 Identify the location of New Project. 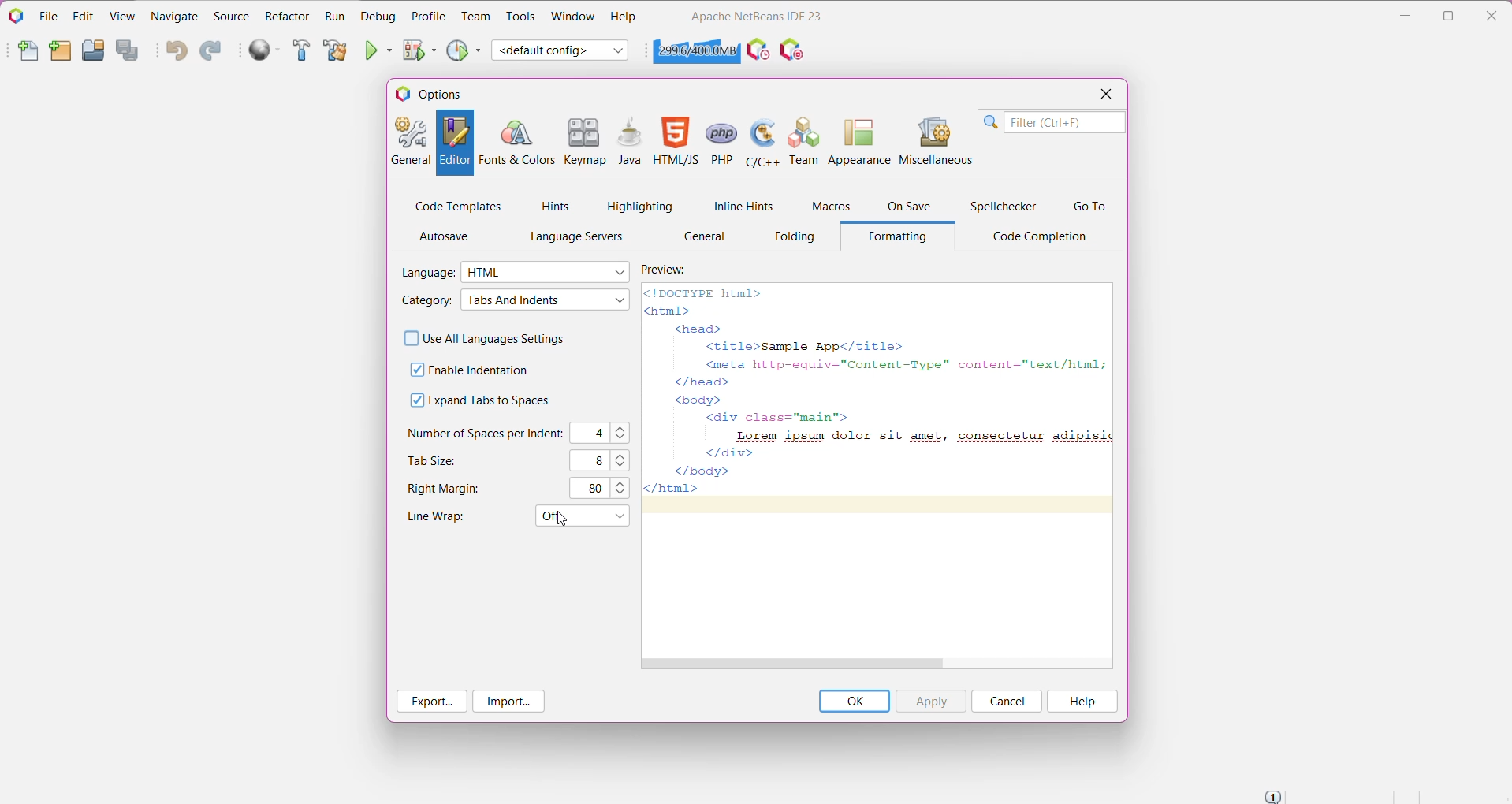
(59, 52).